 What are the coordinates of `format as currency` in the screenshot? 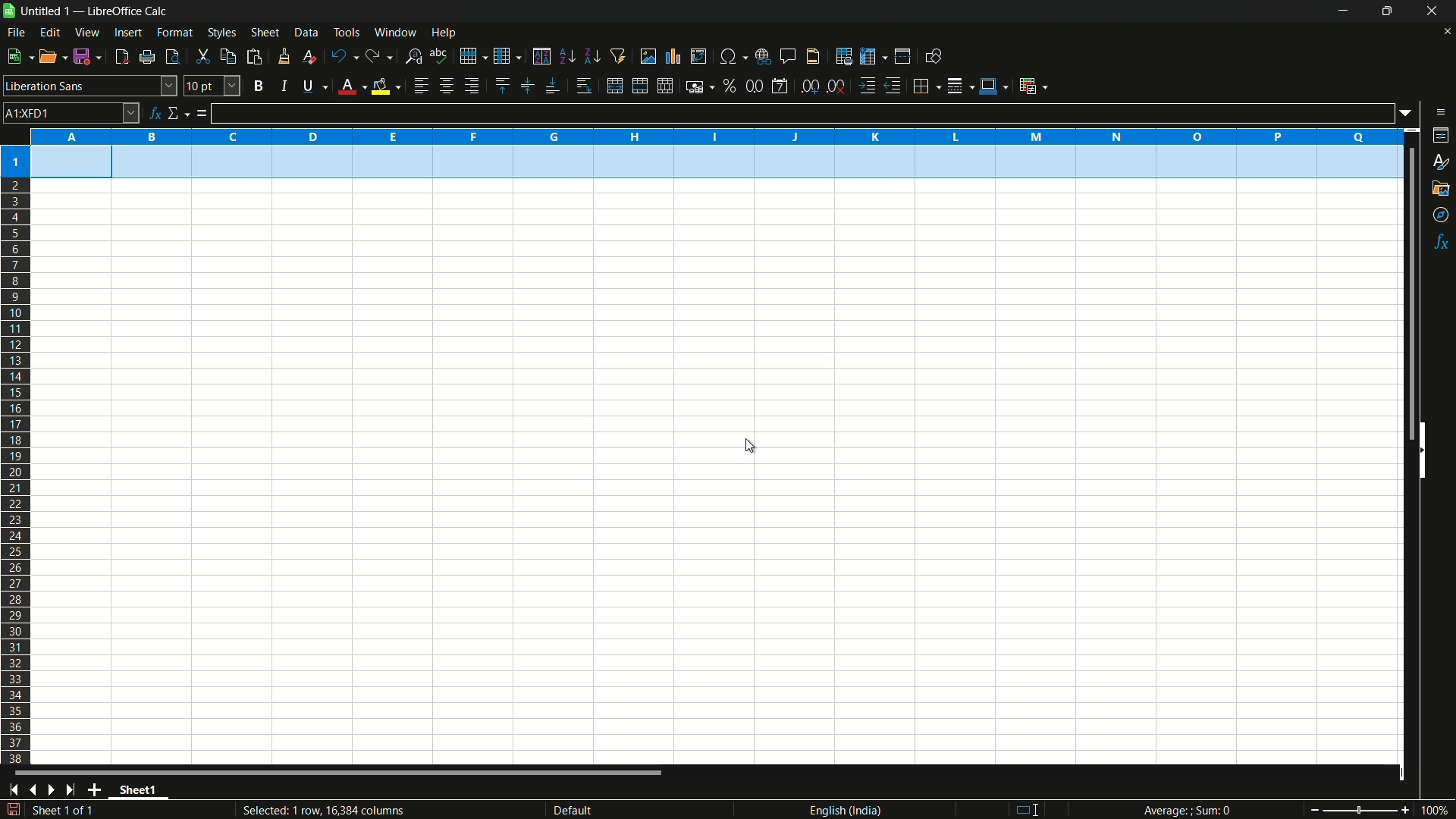 It's located at (700, 86).